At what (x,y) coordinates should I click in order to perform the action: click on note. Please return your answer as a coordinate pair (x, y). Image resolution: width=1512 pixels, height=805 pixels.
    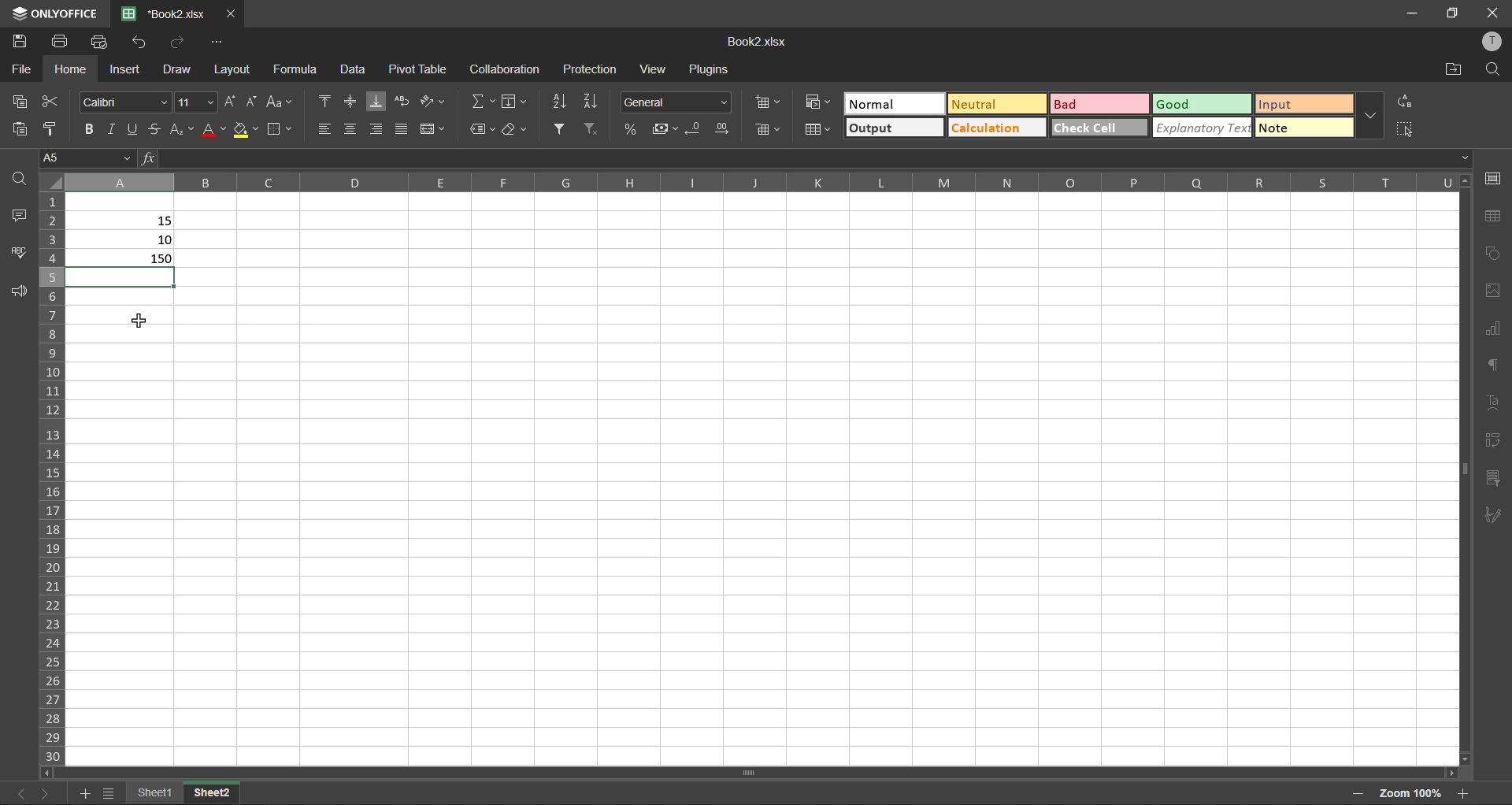
    Looking at the image, I should click on (1303, 127).